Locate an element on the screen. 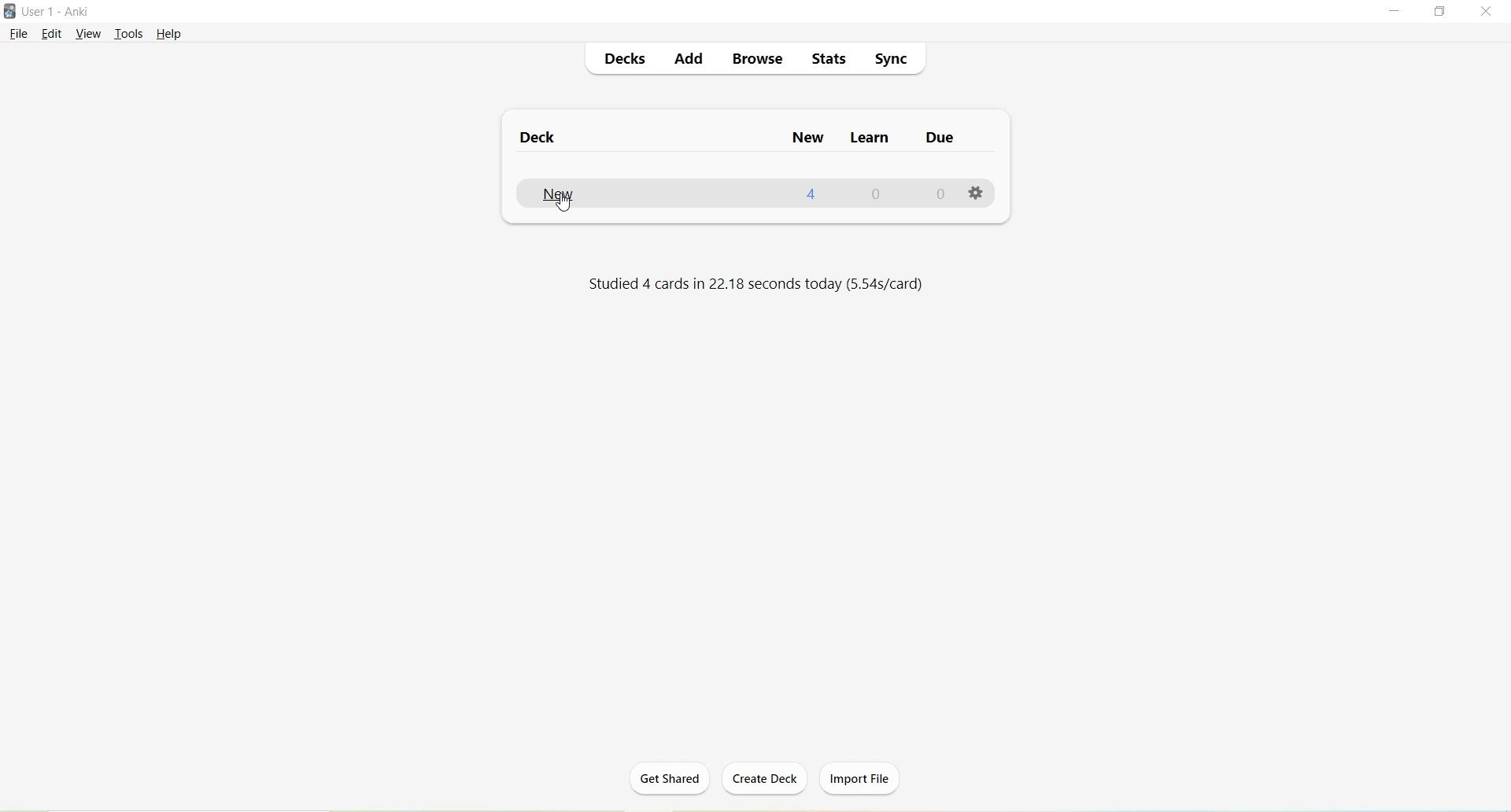 The width and height of the screenshot is (1511, 812). 4 is located at coordinates (811, 194).